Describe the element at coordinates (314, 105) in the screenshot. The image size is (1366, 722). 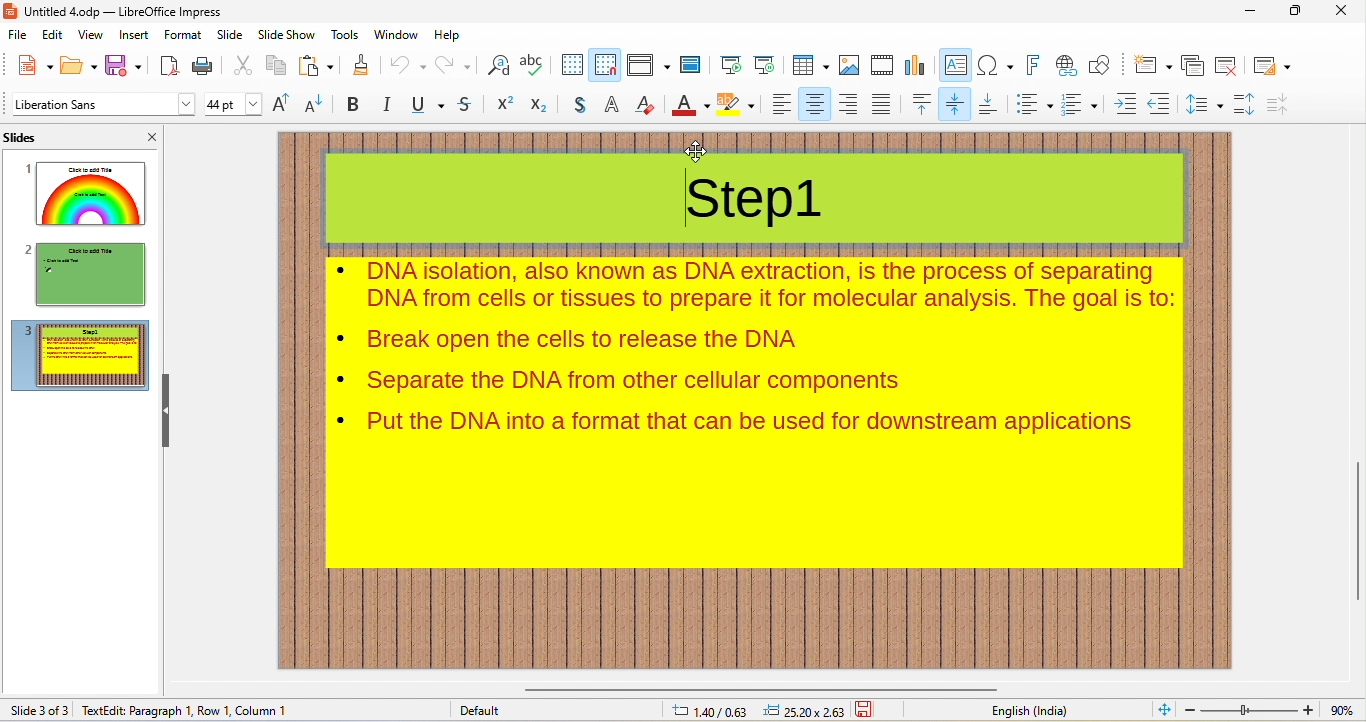
I see `decrement text size` at that location.